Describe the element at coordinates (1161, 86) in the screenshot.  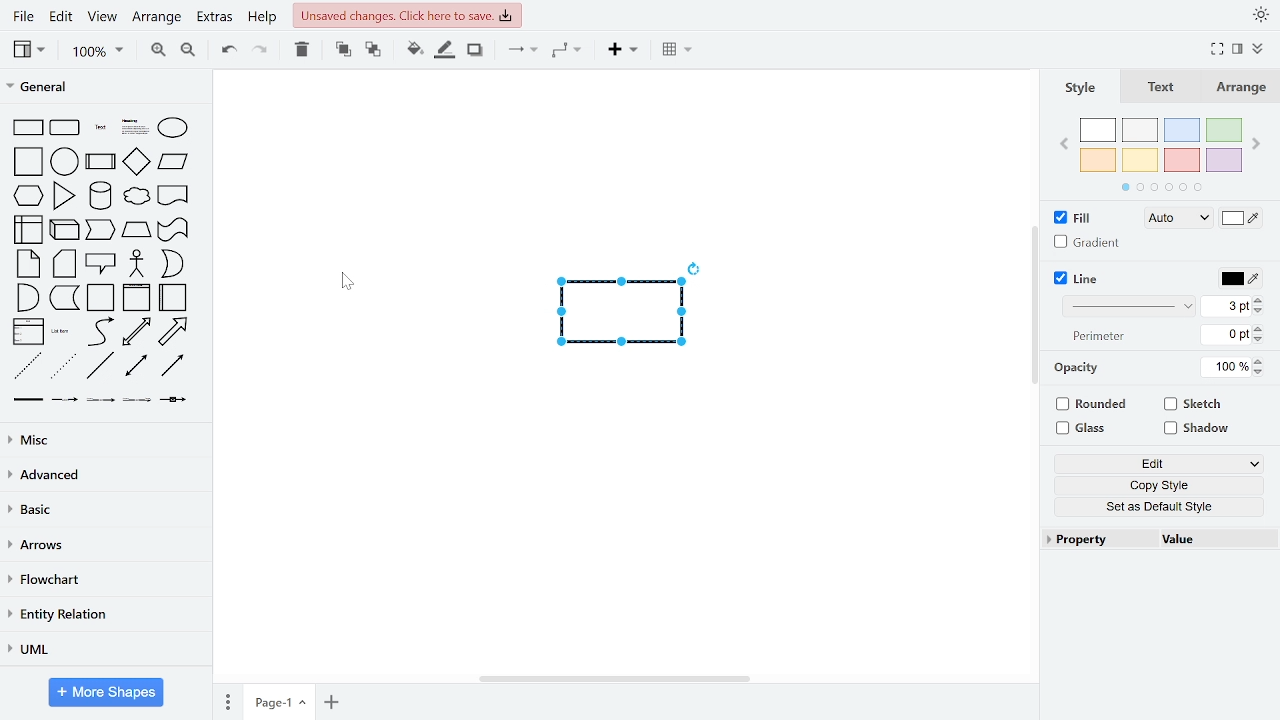
I see `text` at that location.